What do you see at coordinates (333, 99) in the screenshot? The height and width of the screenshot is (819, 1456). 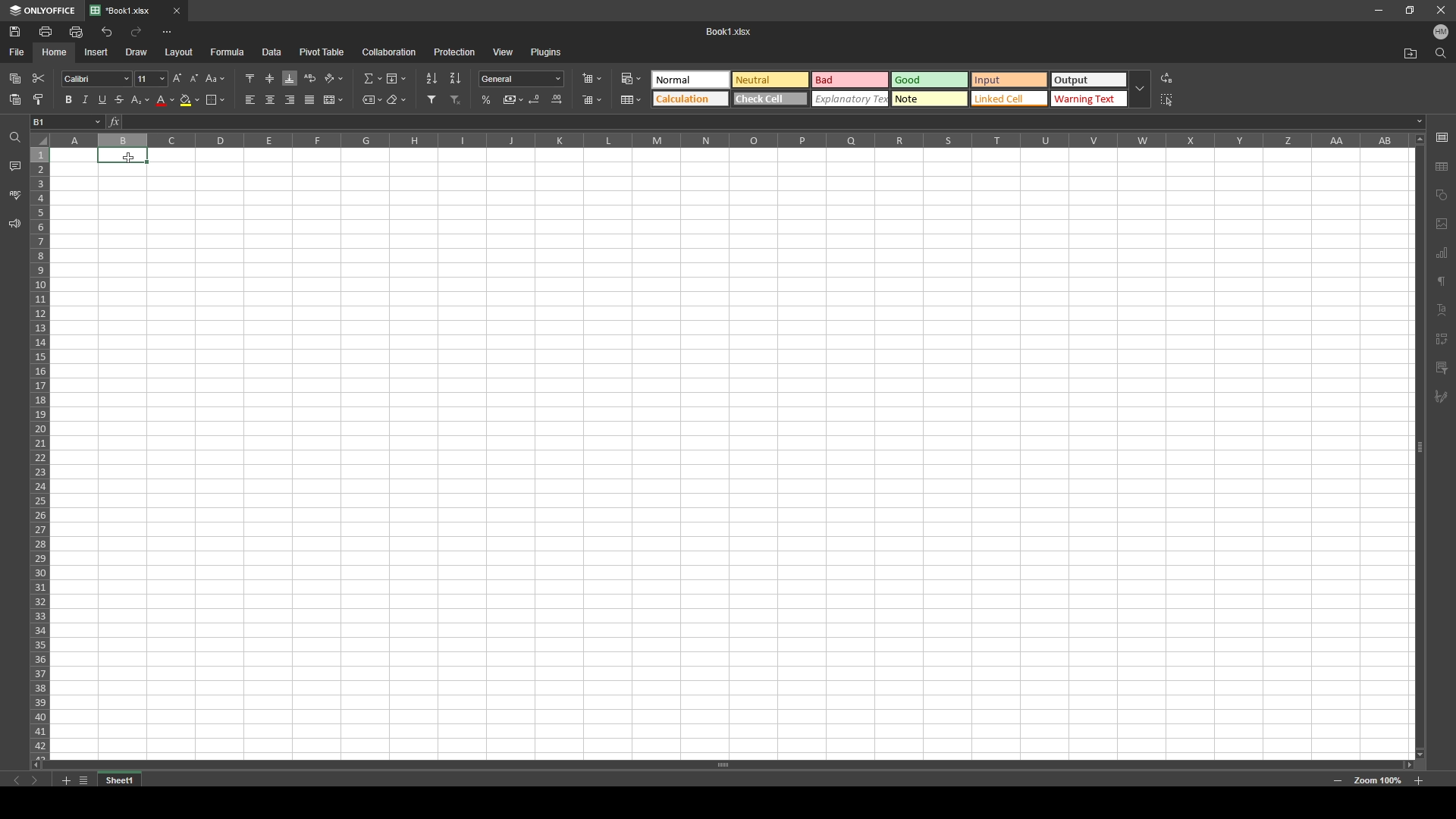 I see `merge and center` at bounding box center [333, 99].